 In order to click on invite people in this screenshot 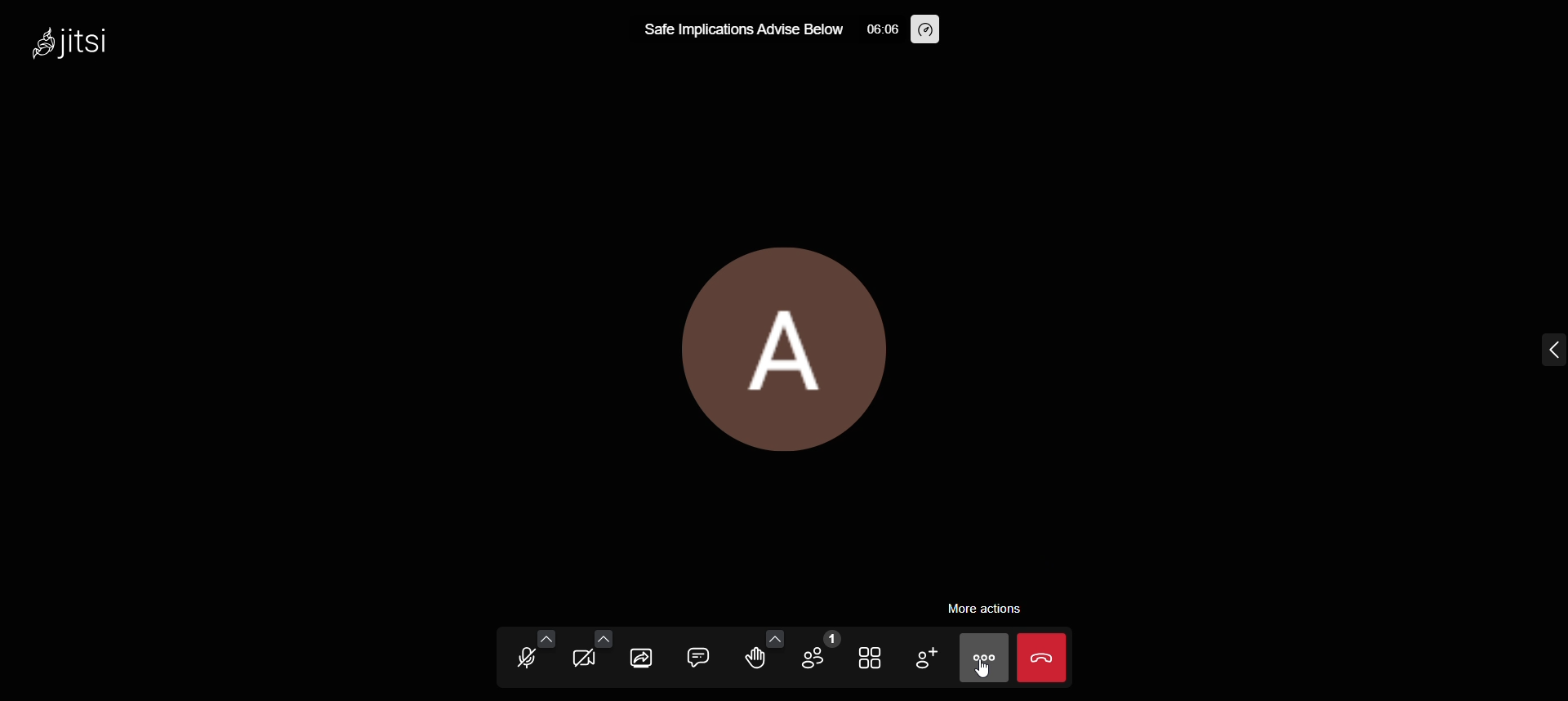, I will do `click(920, 657)`.